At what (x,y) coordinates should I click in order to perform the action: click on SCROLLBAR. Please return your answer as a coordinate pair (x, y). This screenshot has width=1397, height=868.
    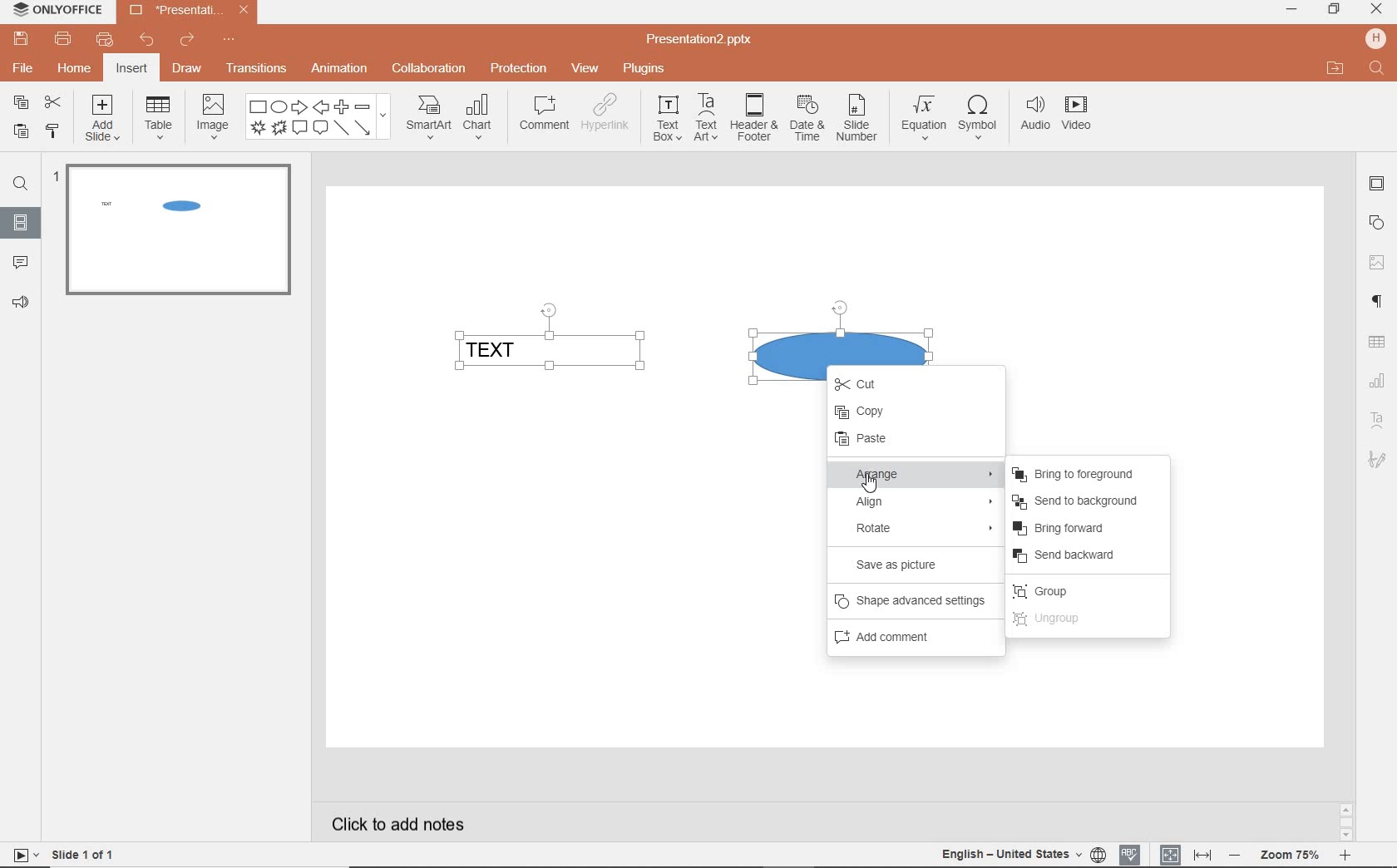
    Looking at the image, I should click on (1346, 821).